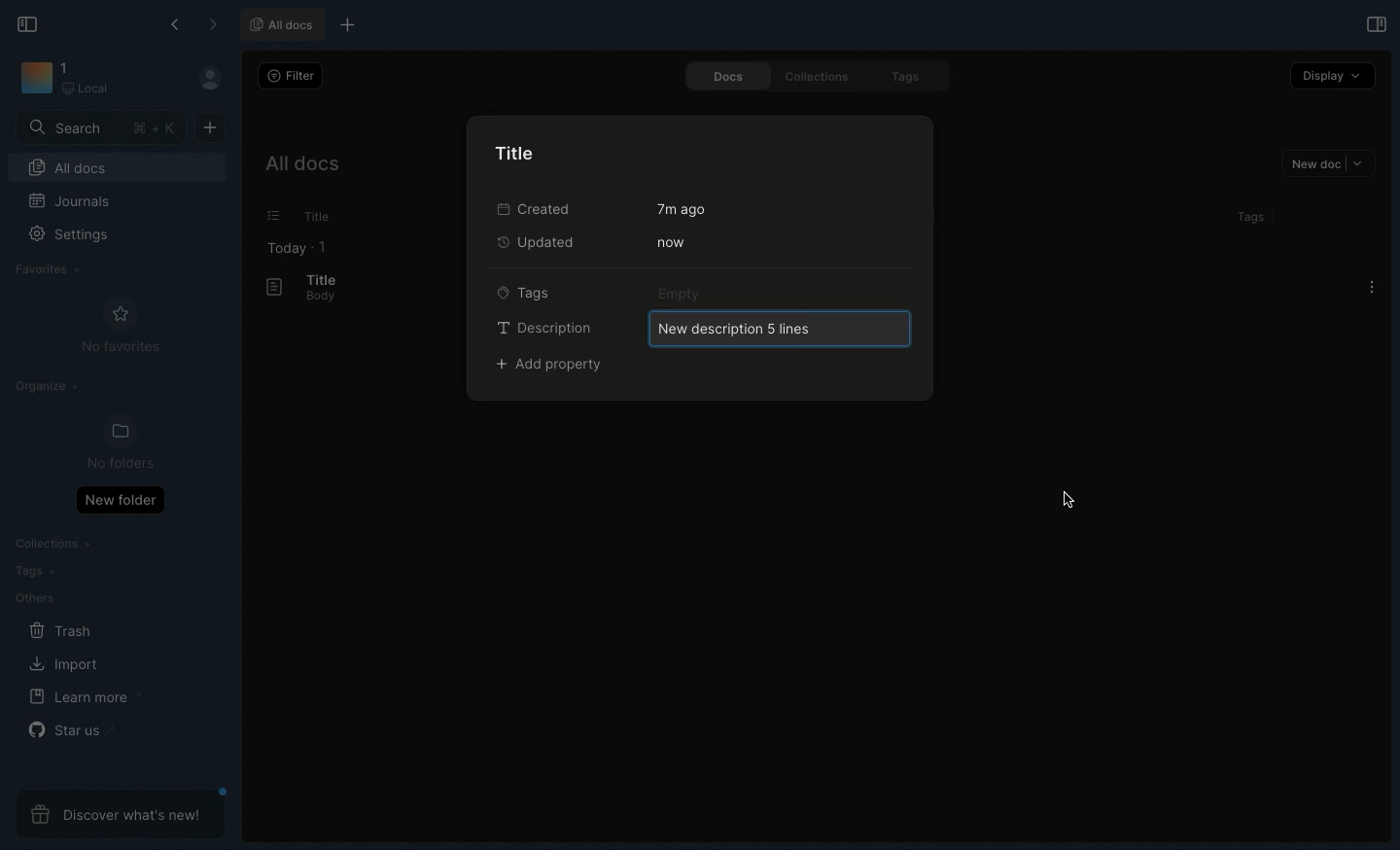  What do you see at coordinates (35, 79) in the screenshot?
I see `Icon` at bounding box center [35, 79].